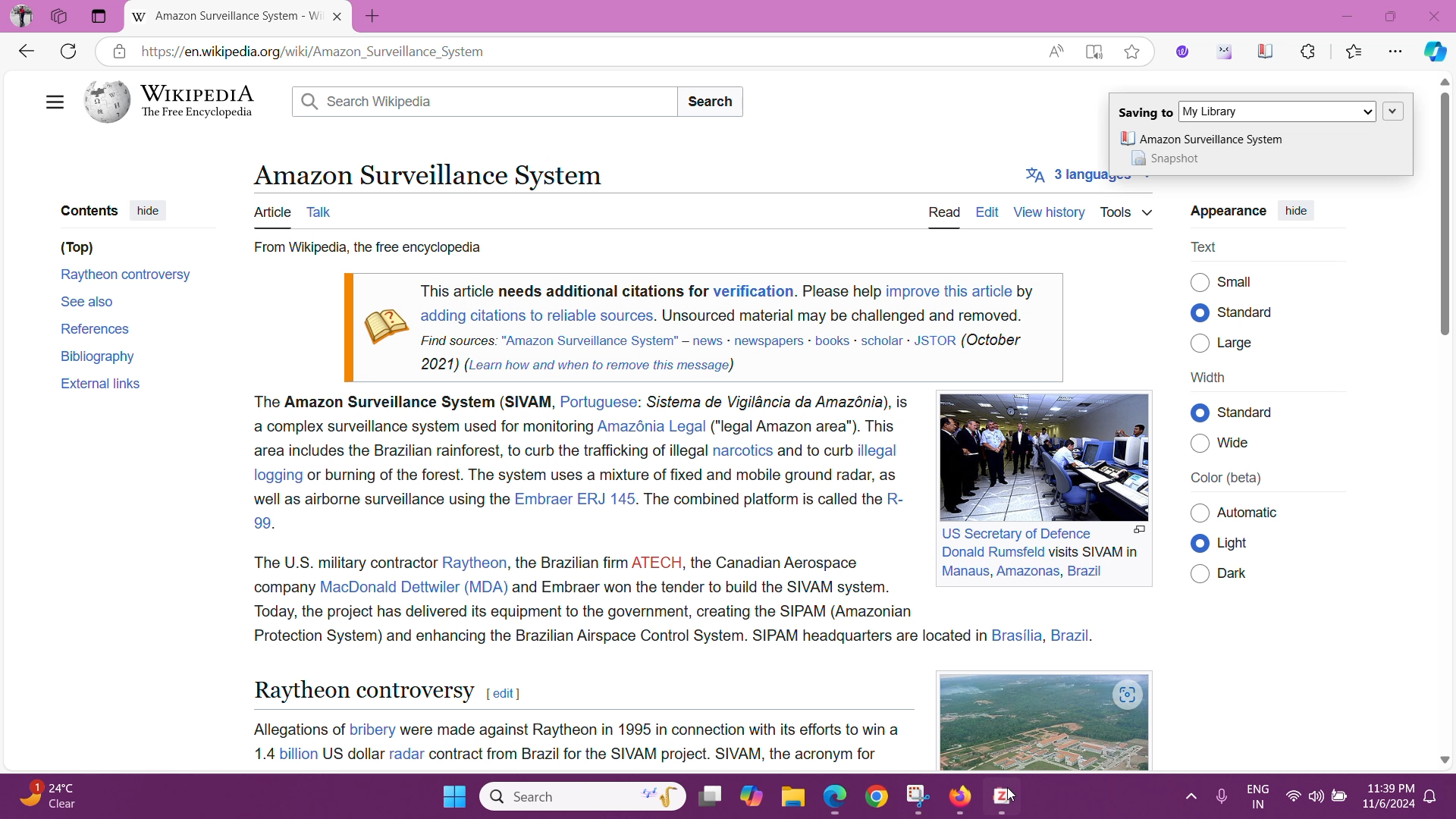 This screenshot has width=1456, height=819. Describe the element at coordinates (1392, 16) in the screenshot. I see `Restore Down` at that location.